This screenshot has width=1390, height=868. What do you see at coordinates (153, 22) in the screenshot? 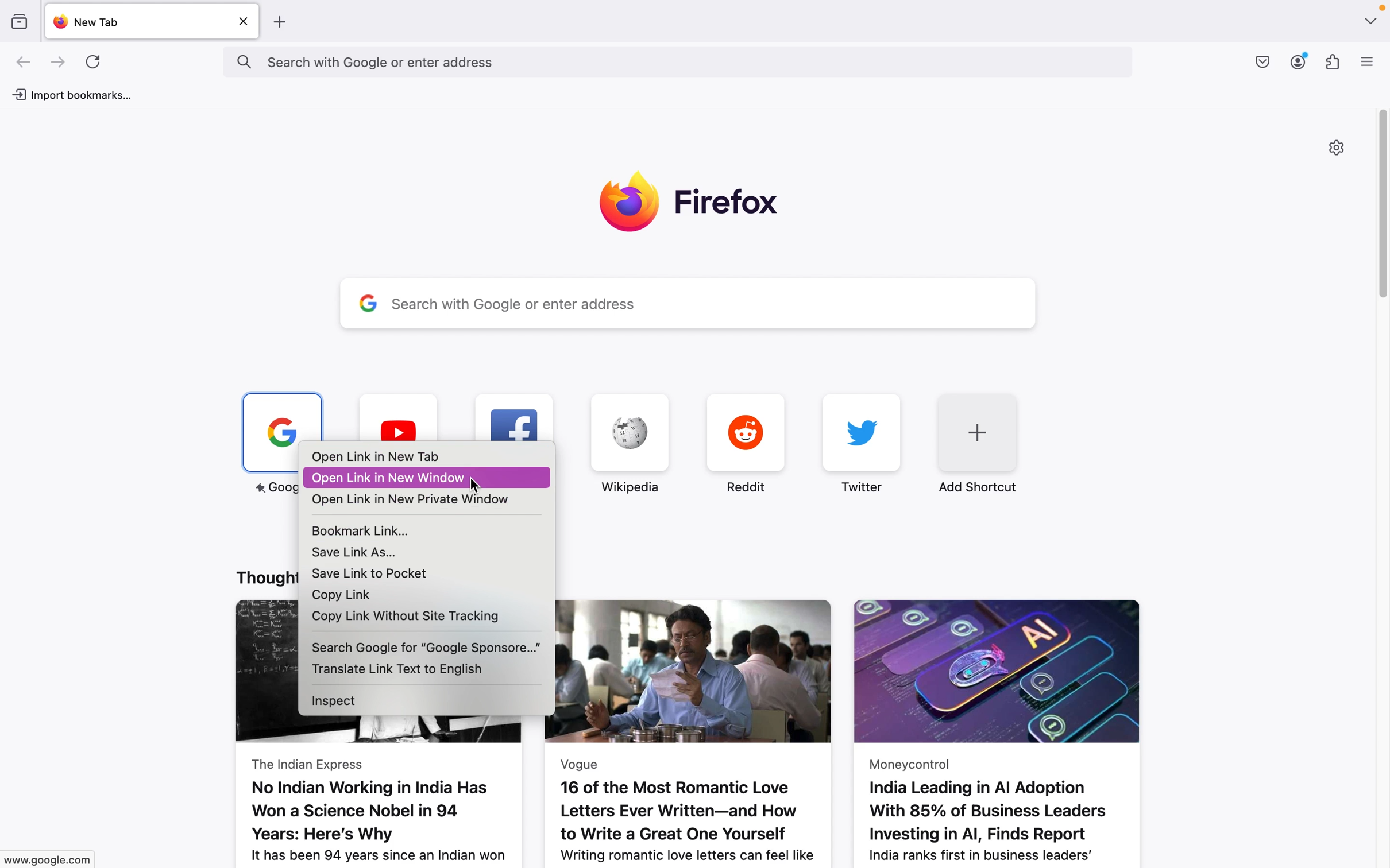
I see `new tabs` at bounding box center [153, 22].